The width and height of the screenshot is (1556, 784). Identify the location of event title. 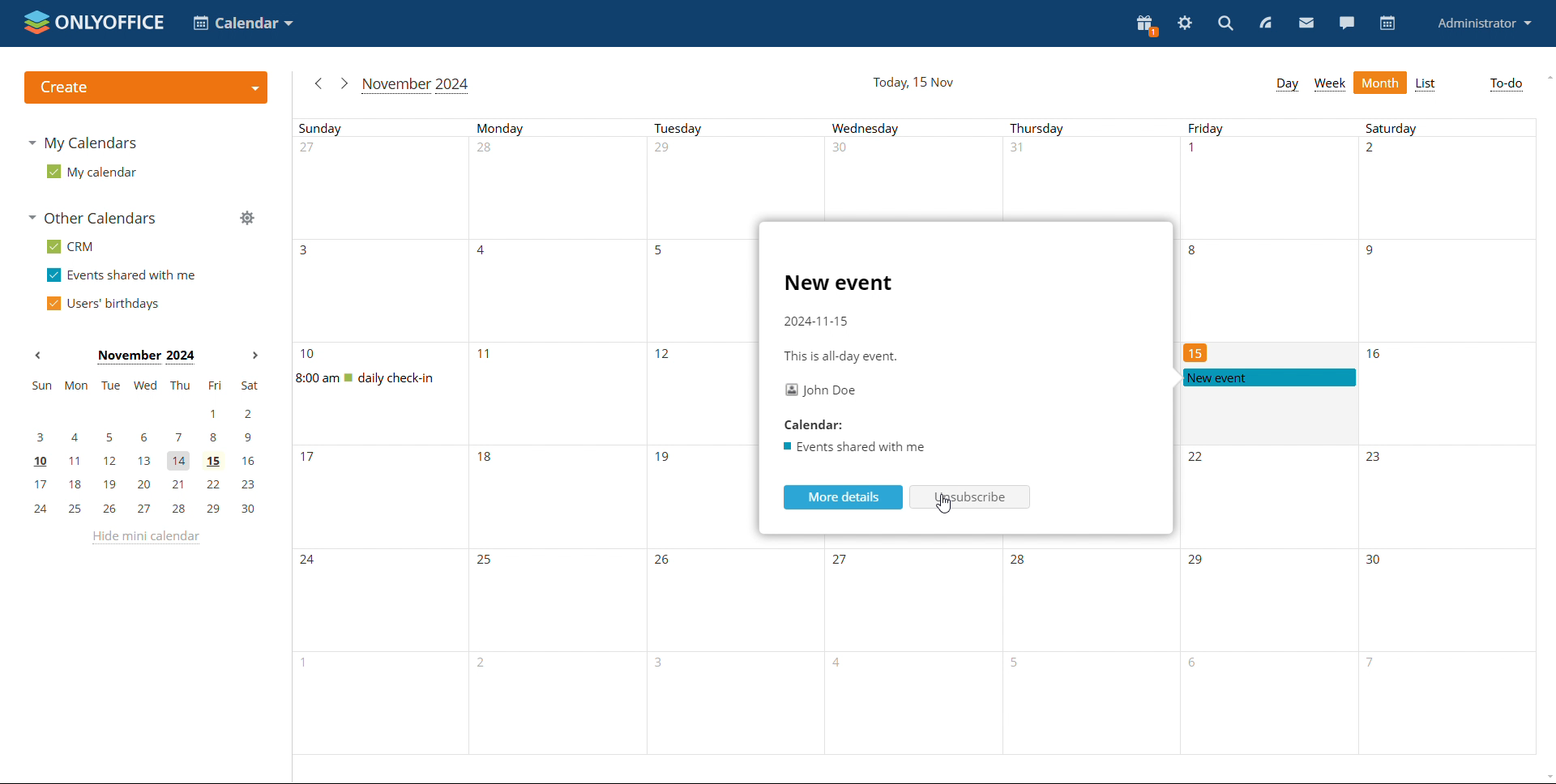
(839, 284).